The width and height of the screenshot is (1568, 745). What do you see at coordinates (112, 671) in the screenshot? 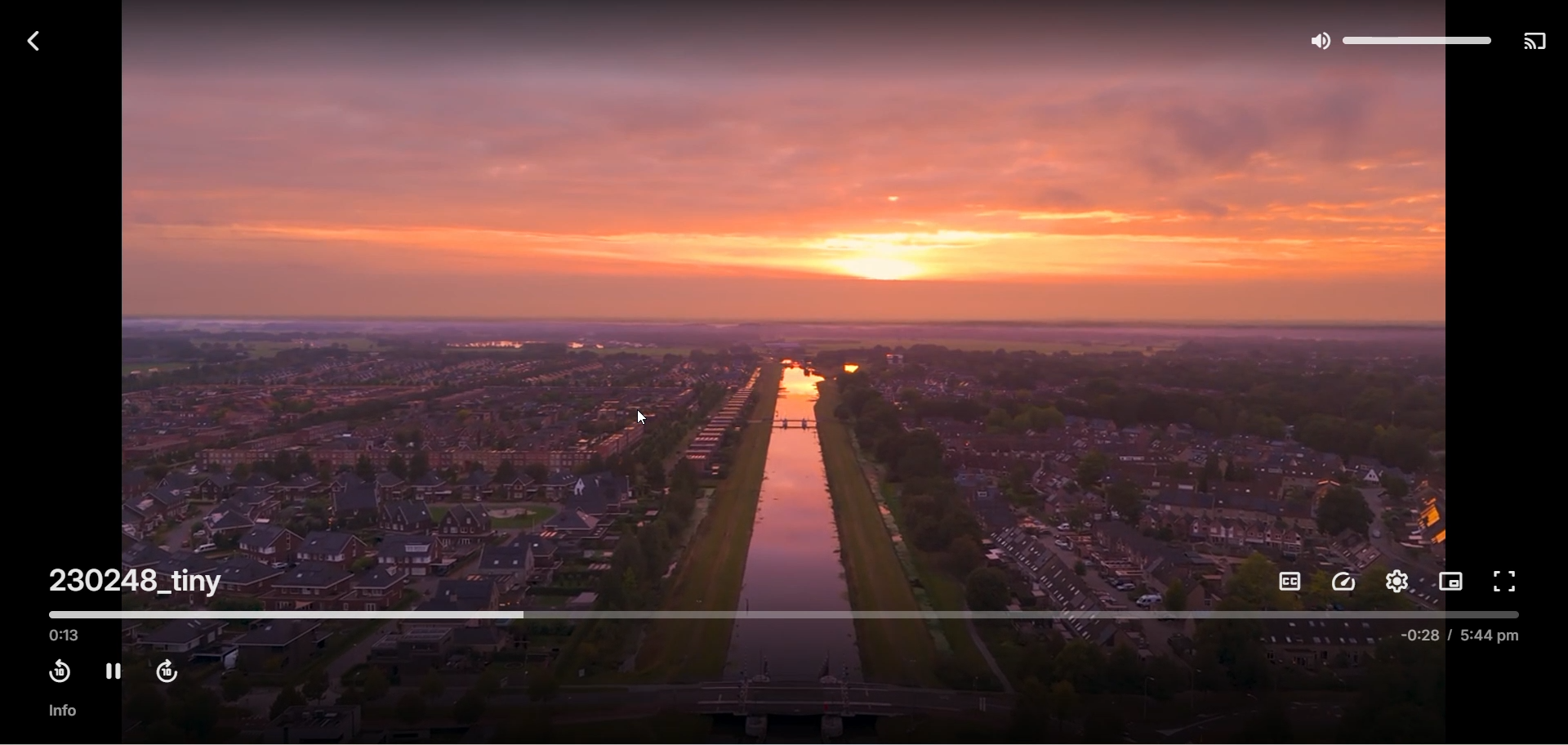
I see `resume` at bounding box center [112, 671].